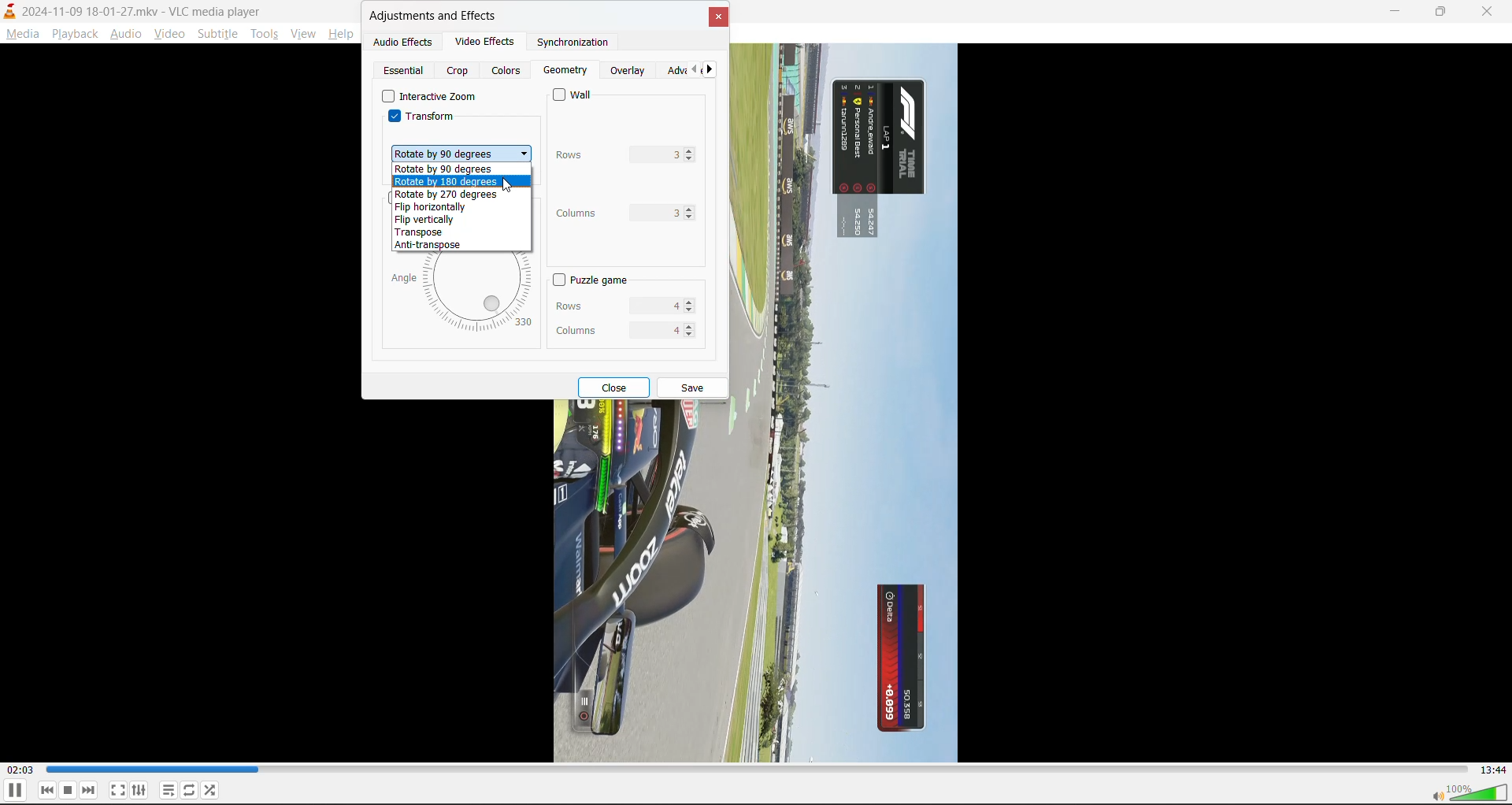 The width and height of the screenshot is (1512, 805). What do you see at coordinates (187, 792) in the screenshot?
I see `loop` at bounding box center [187, 792].